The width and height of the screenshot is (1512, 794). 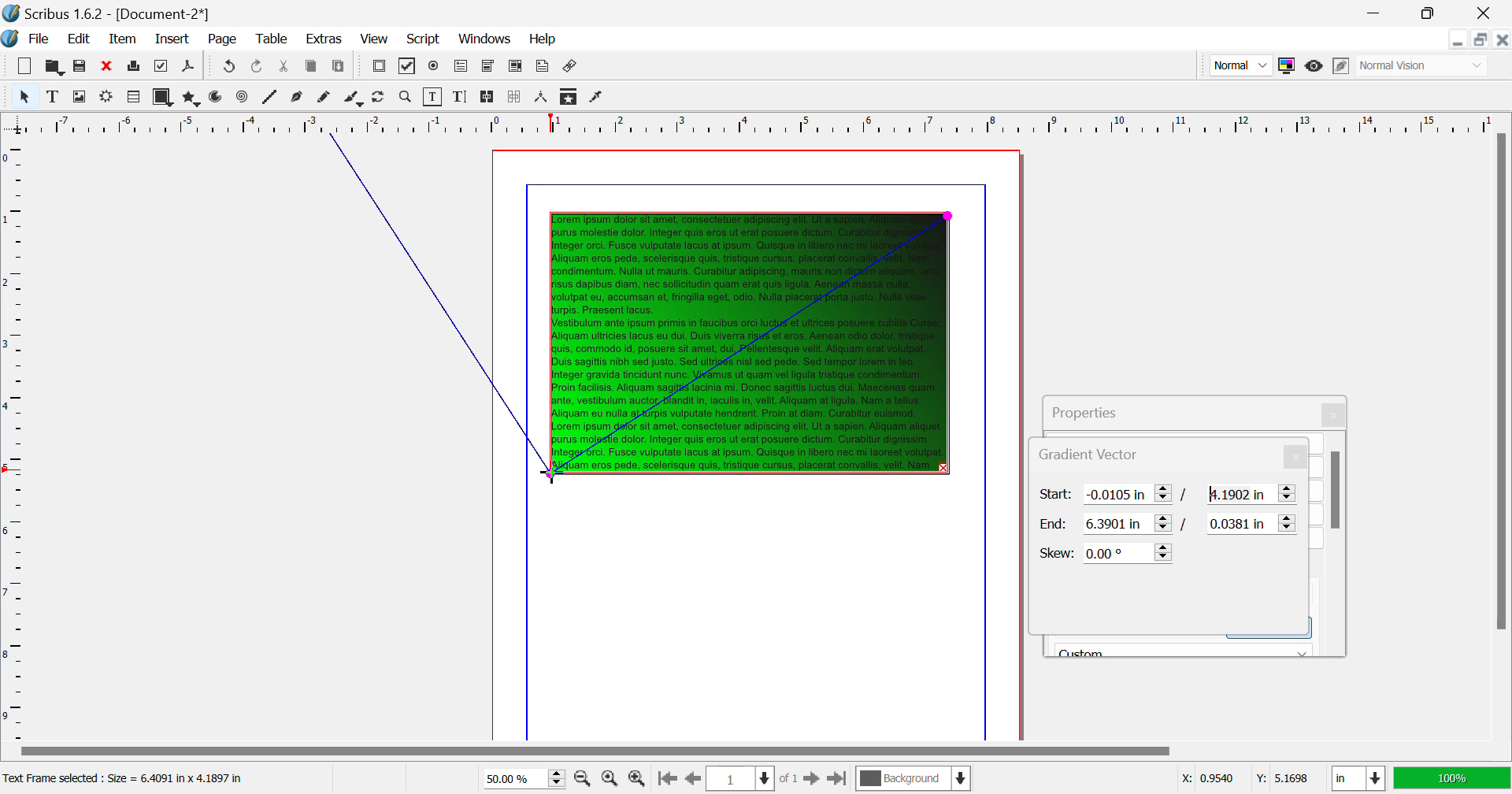 What do you see at coordinates (836, 779) in the screenshot?
I see `Last Page` at bounding box center [836, 779].